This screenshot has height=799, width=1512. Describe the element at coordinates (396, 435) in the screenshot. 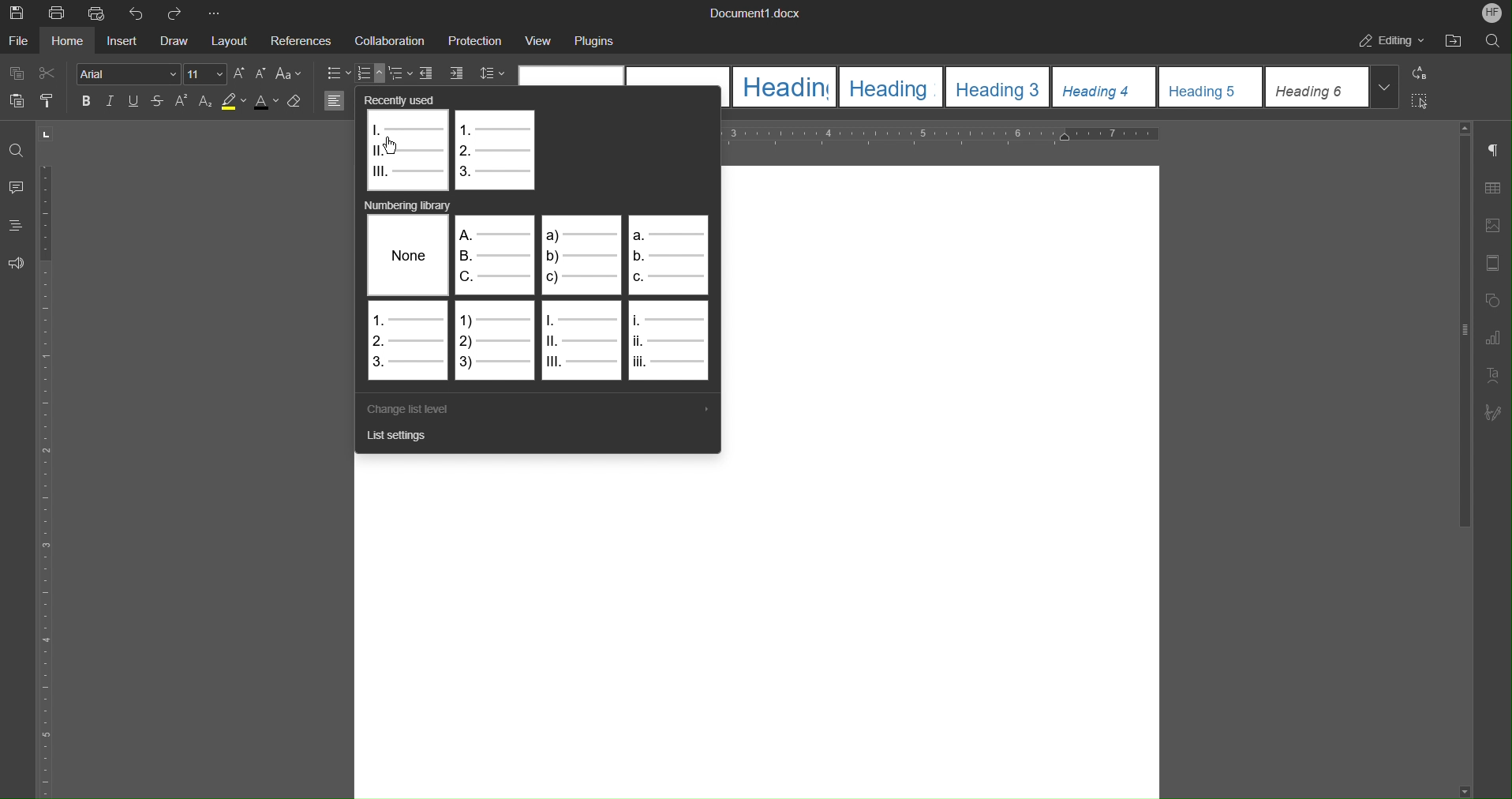

I see `List Settings` at that location.